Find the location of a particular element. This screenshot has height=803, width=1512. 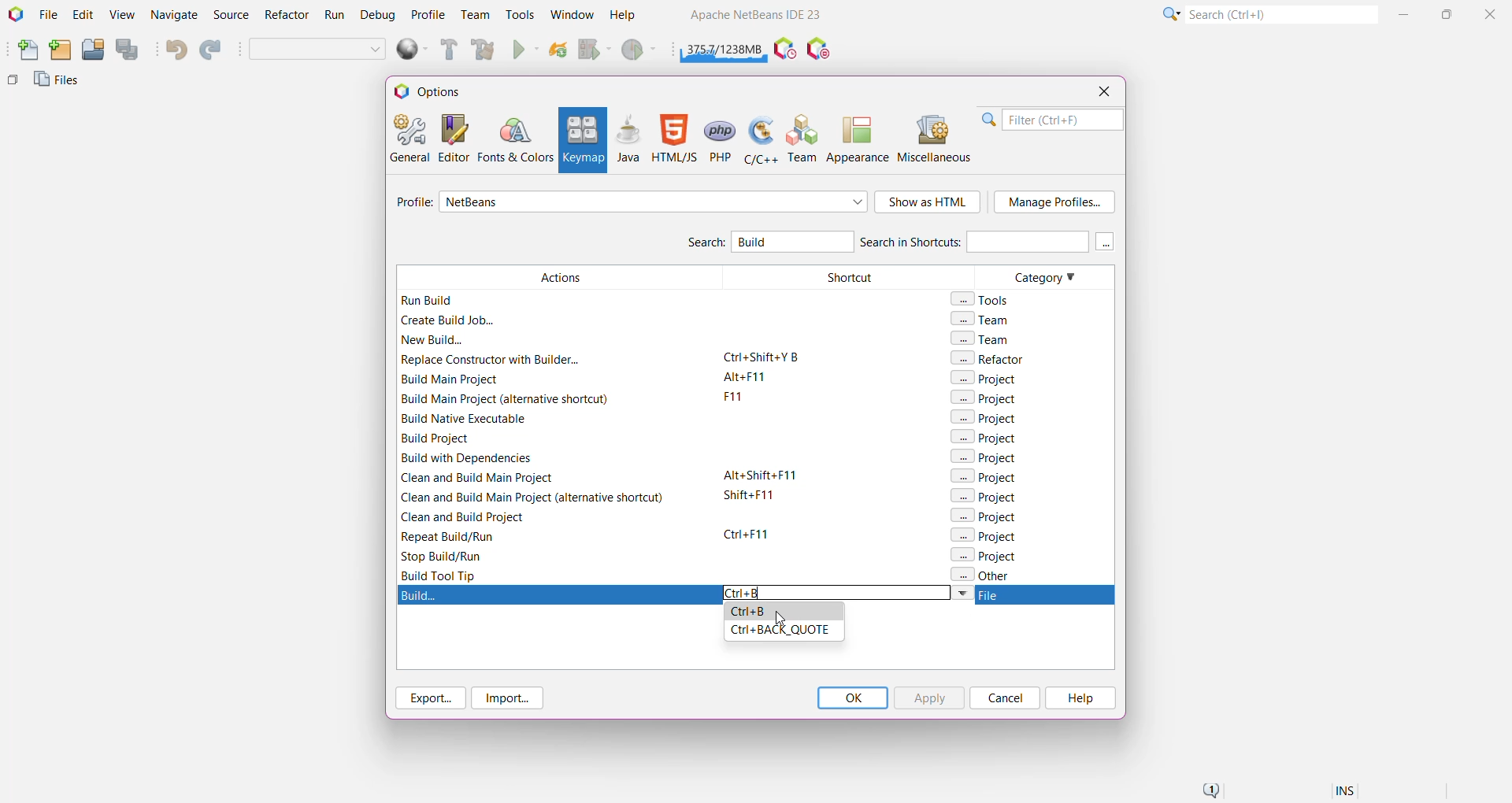

More keys is located at coordinates (1106, 242).